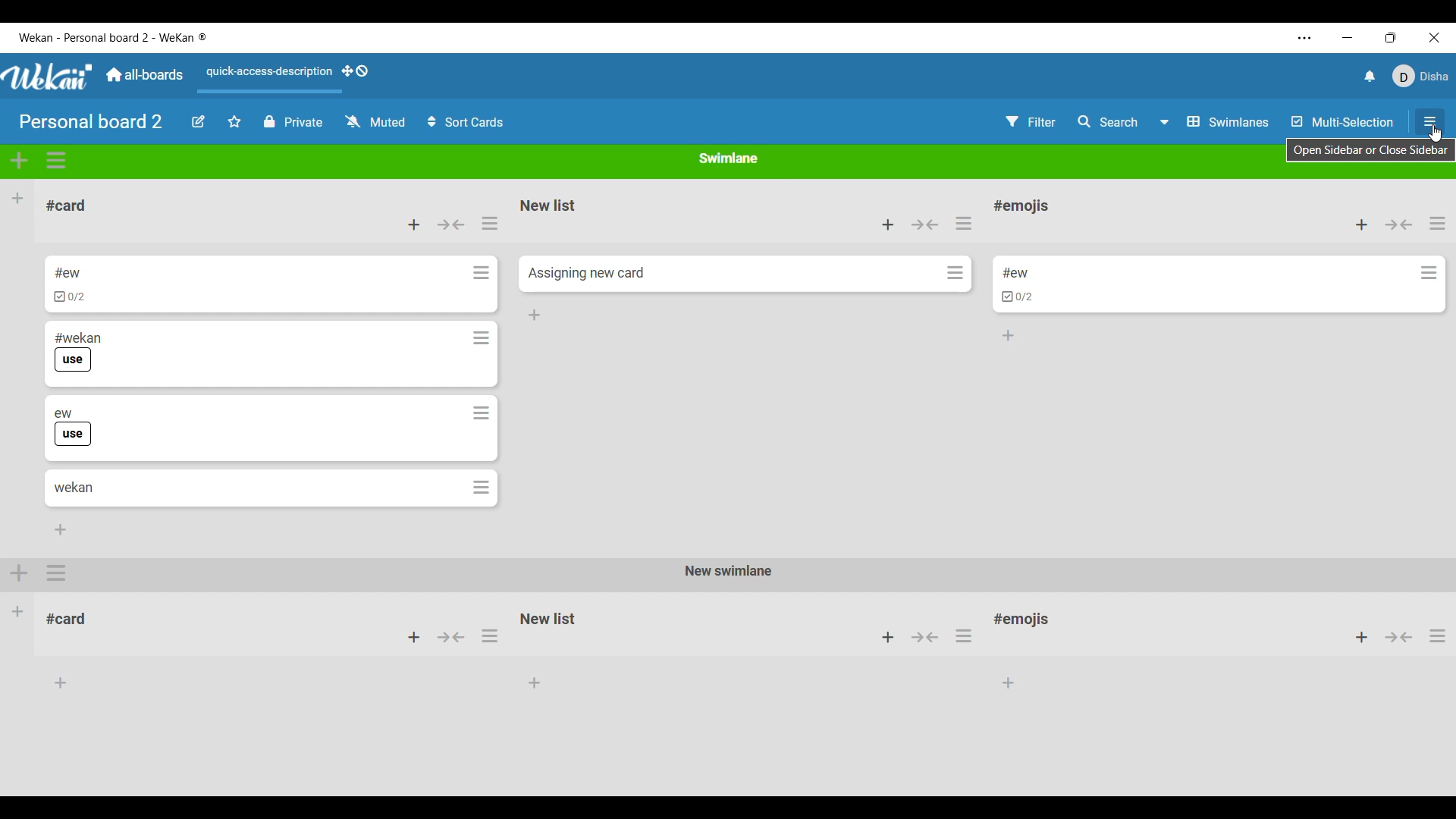 The height and width of the screenshot is (819, 1456). Describe the element at coordinates (1348, 38) in the screenshot. I see `Minimize` at that location.